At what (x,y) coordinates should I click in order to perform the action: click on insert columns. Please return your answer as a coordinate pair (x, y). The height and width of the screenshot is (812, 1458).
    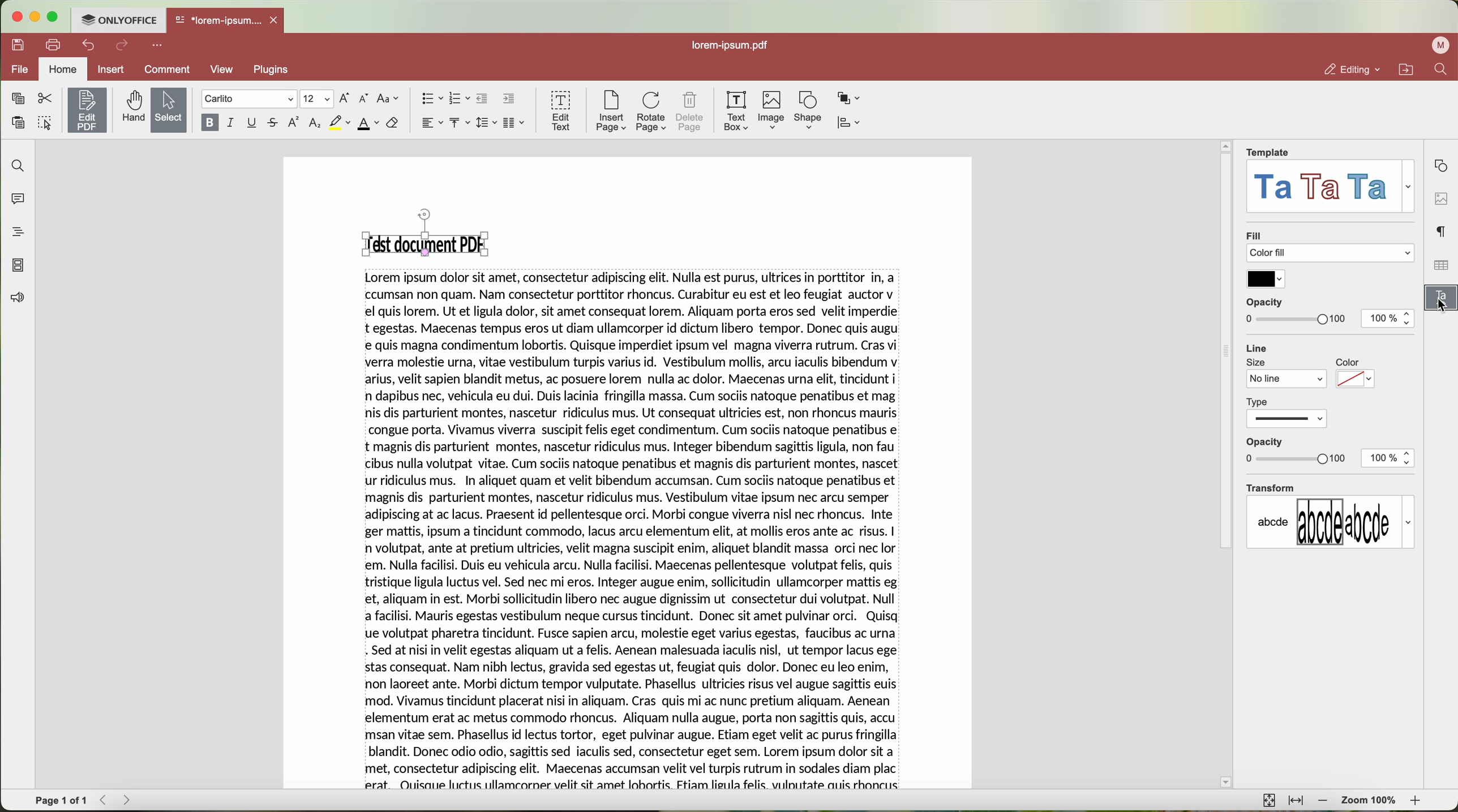
    Looking at the image, I should click on (516, 123).